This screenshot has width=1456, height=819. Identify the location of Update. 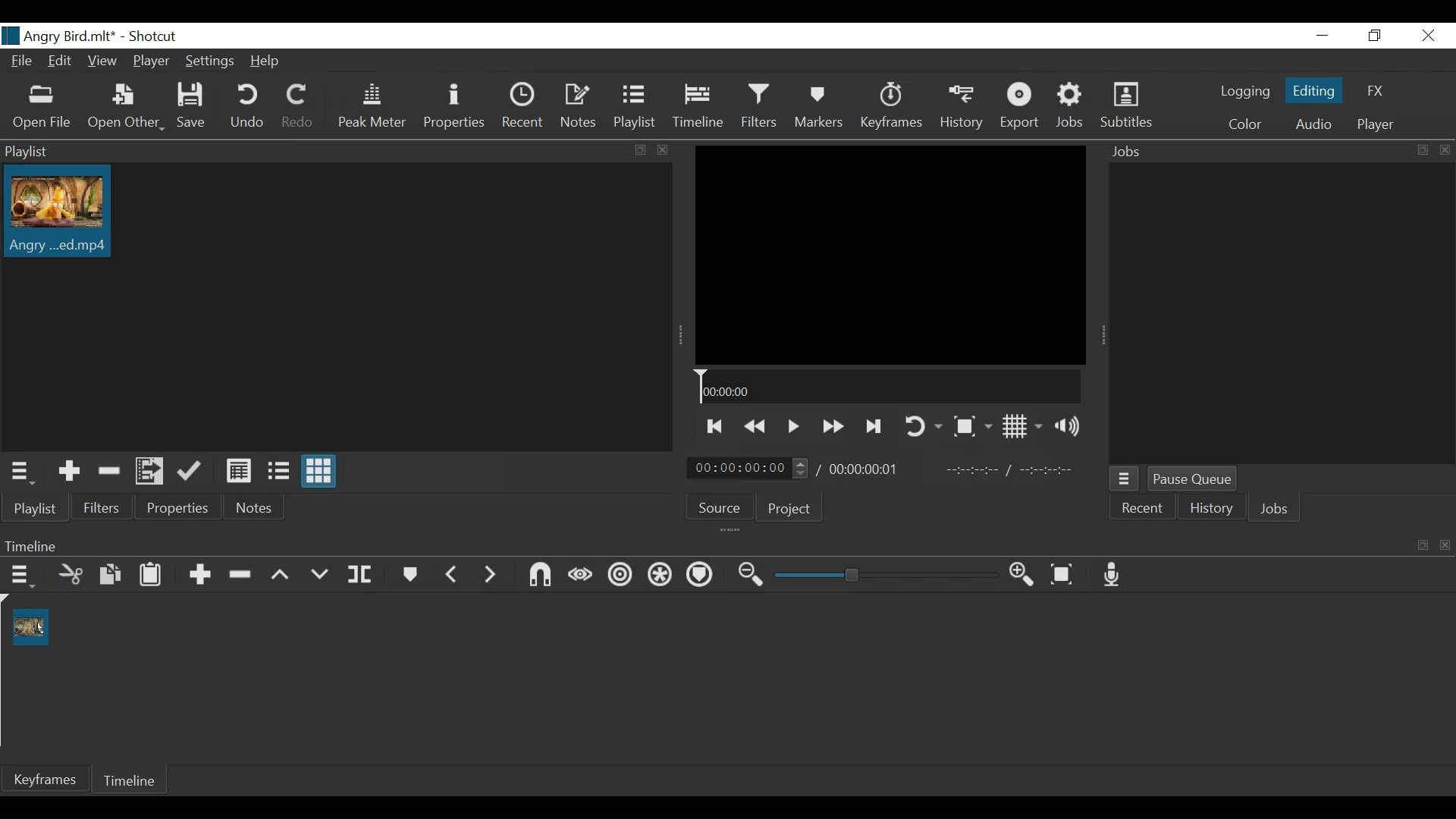
(190, 471).